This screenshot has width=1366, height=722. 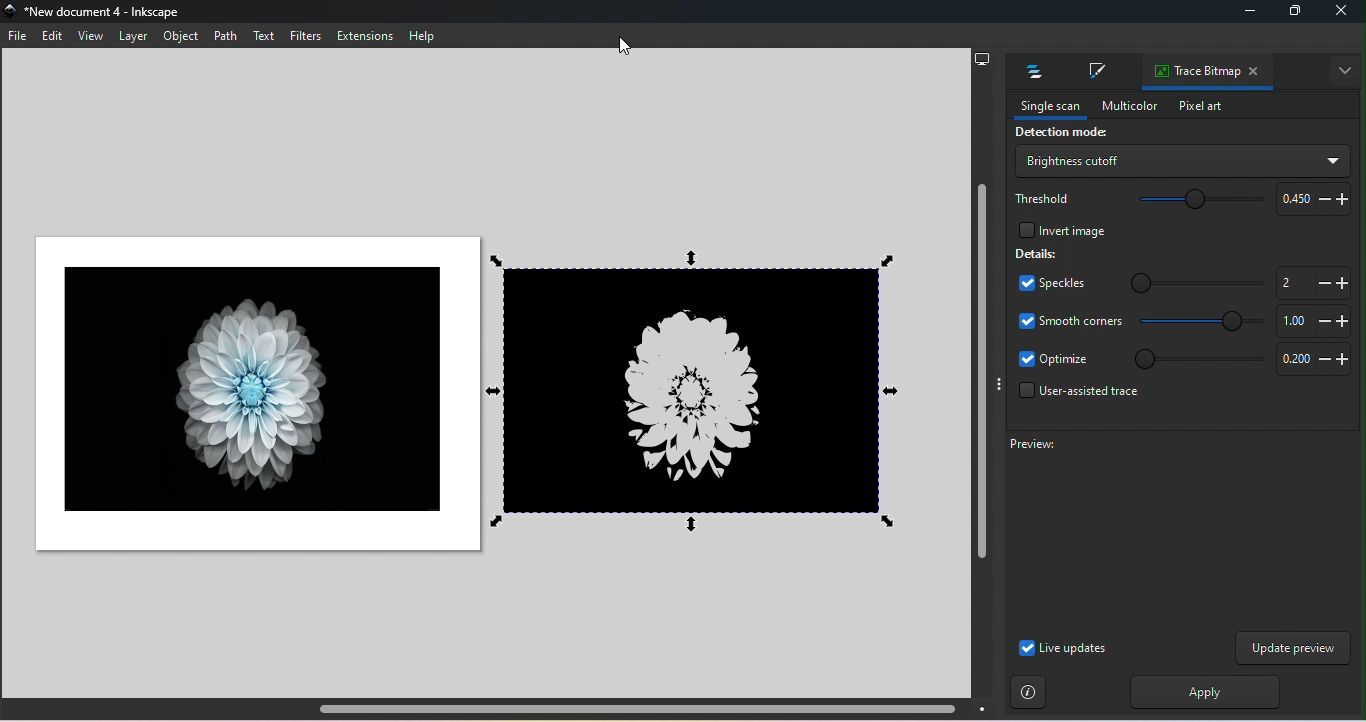 I want to click on File name, so click(x=100, y=13).